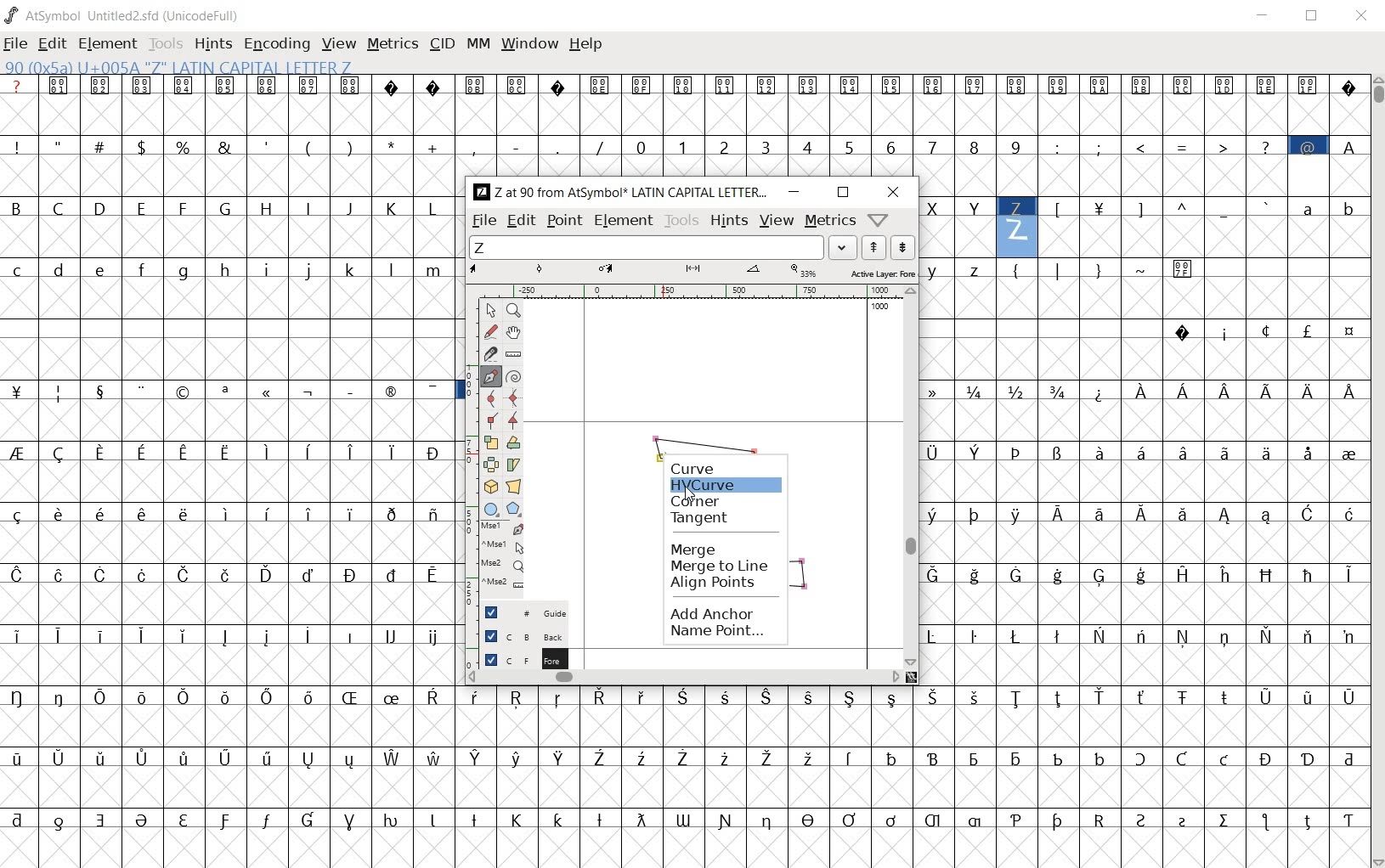 This screenshot has height=868, width=1385. Describe the element at coordinates (491, 509) in the screenshot. I see `rectangle or ellipse` at that location.